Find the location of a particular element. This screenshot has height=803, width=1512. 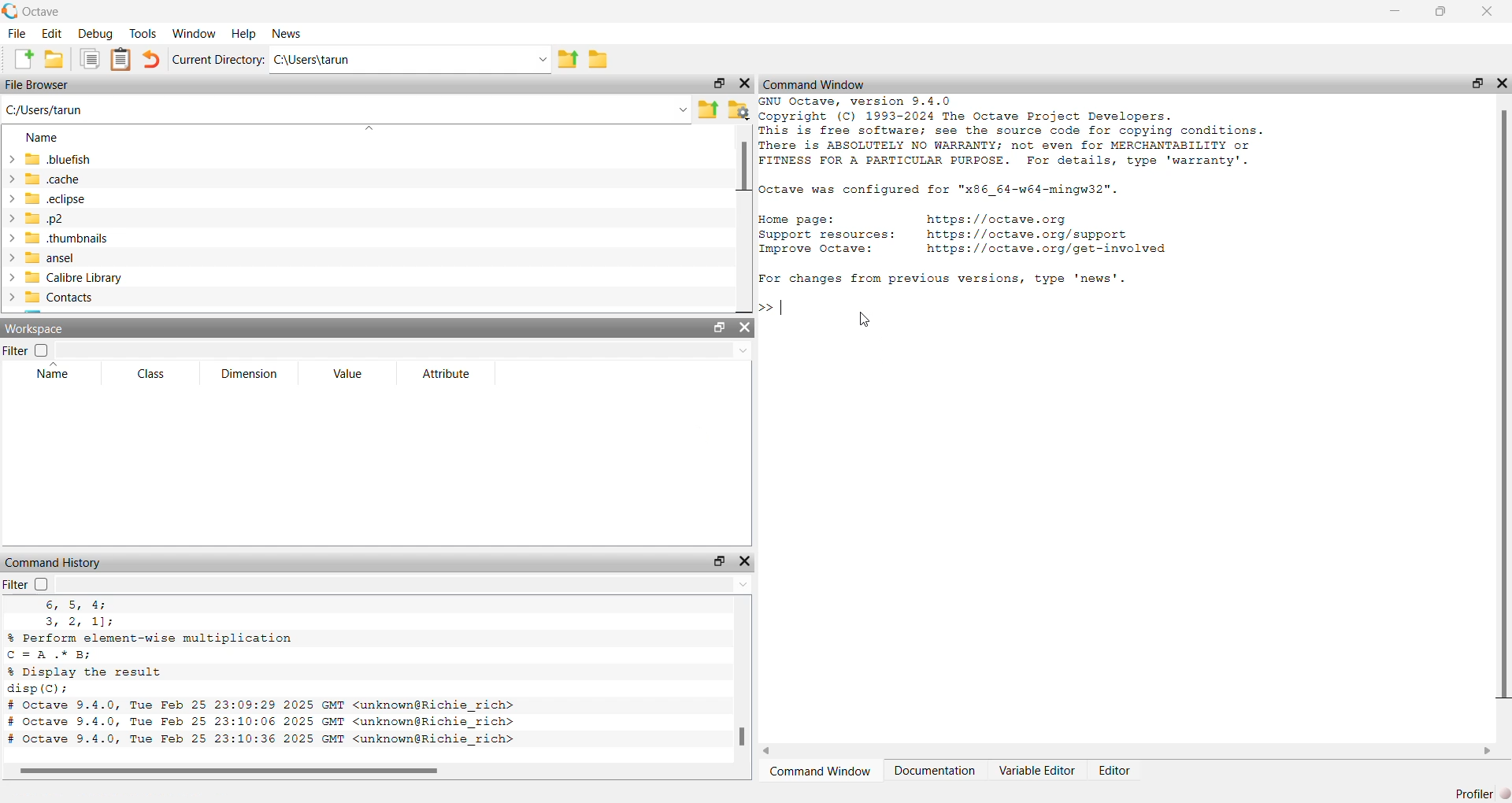

Scroll is located at coordinates (743, 680).